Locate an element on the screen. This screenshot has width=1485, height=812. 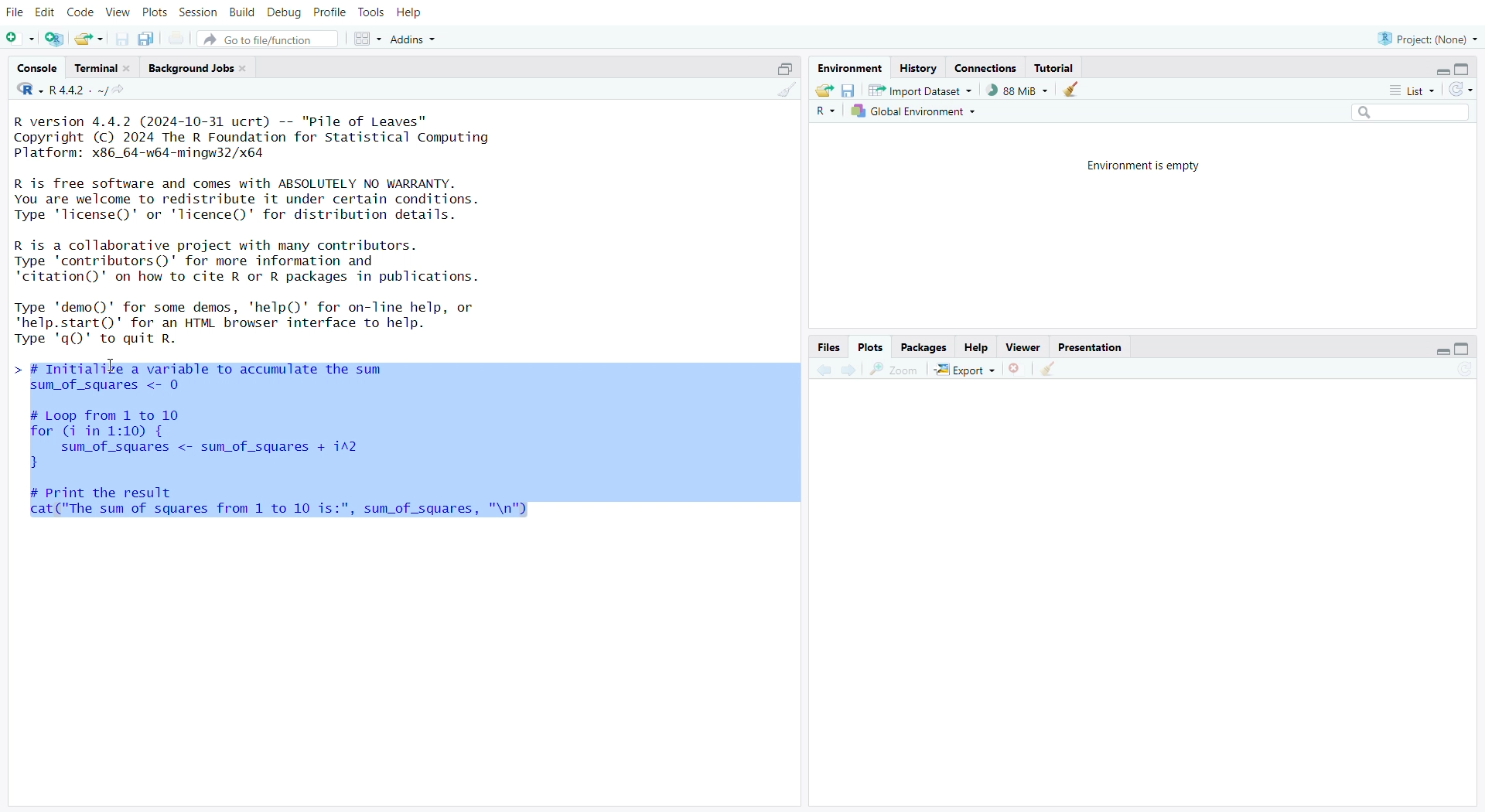
console is located at coordinates (36, 67).